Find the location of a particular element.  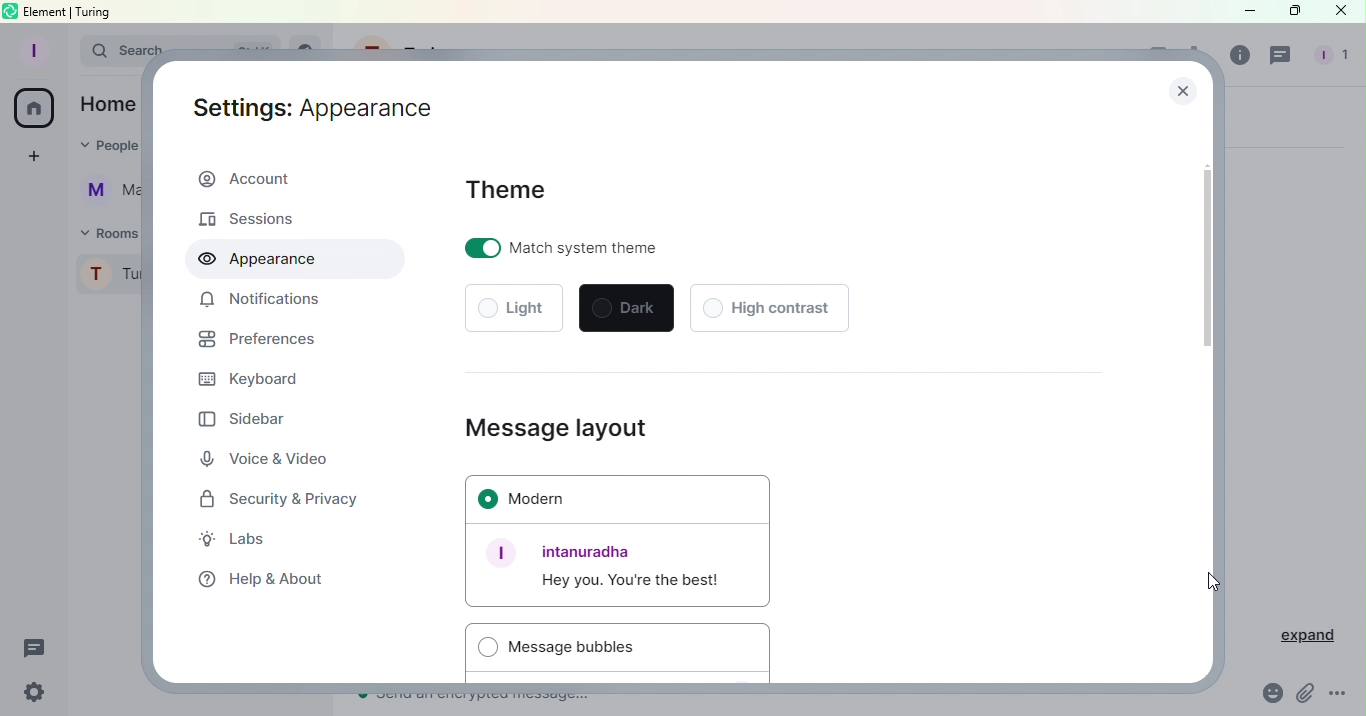

element logo is located at coordinates (11, 11).